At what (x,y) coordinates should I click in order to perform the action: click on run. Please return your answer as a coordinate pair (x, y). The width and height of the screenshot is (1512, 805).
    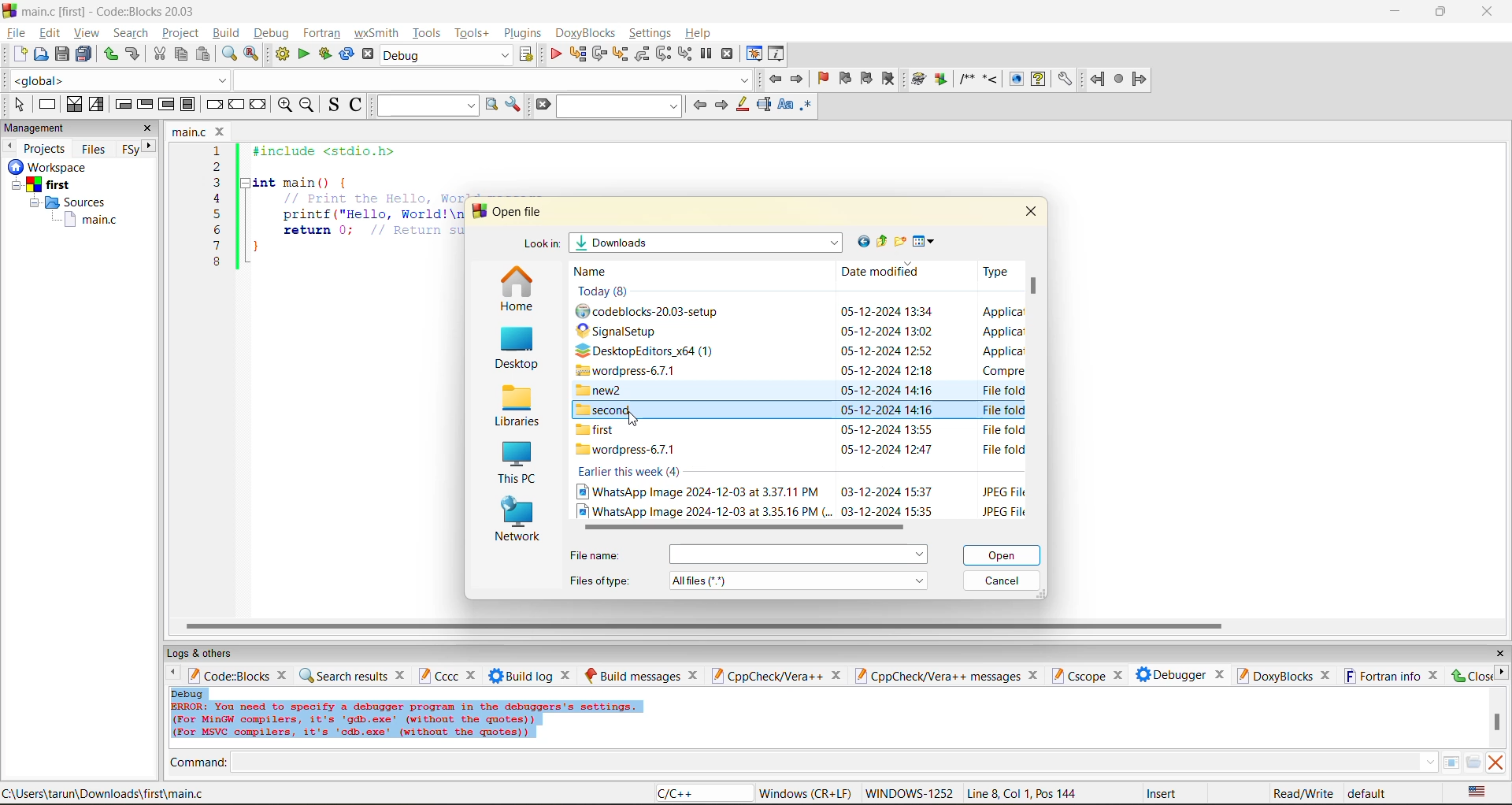
    Looking at the image, I should click on (304, 54).